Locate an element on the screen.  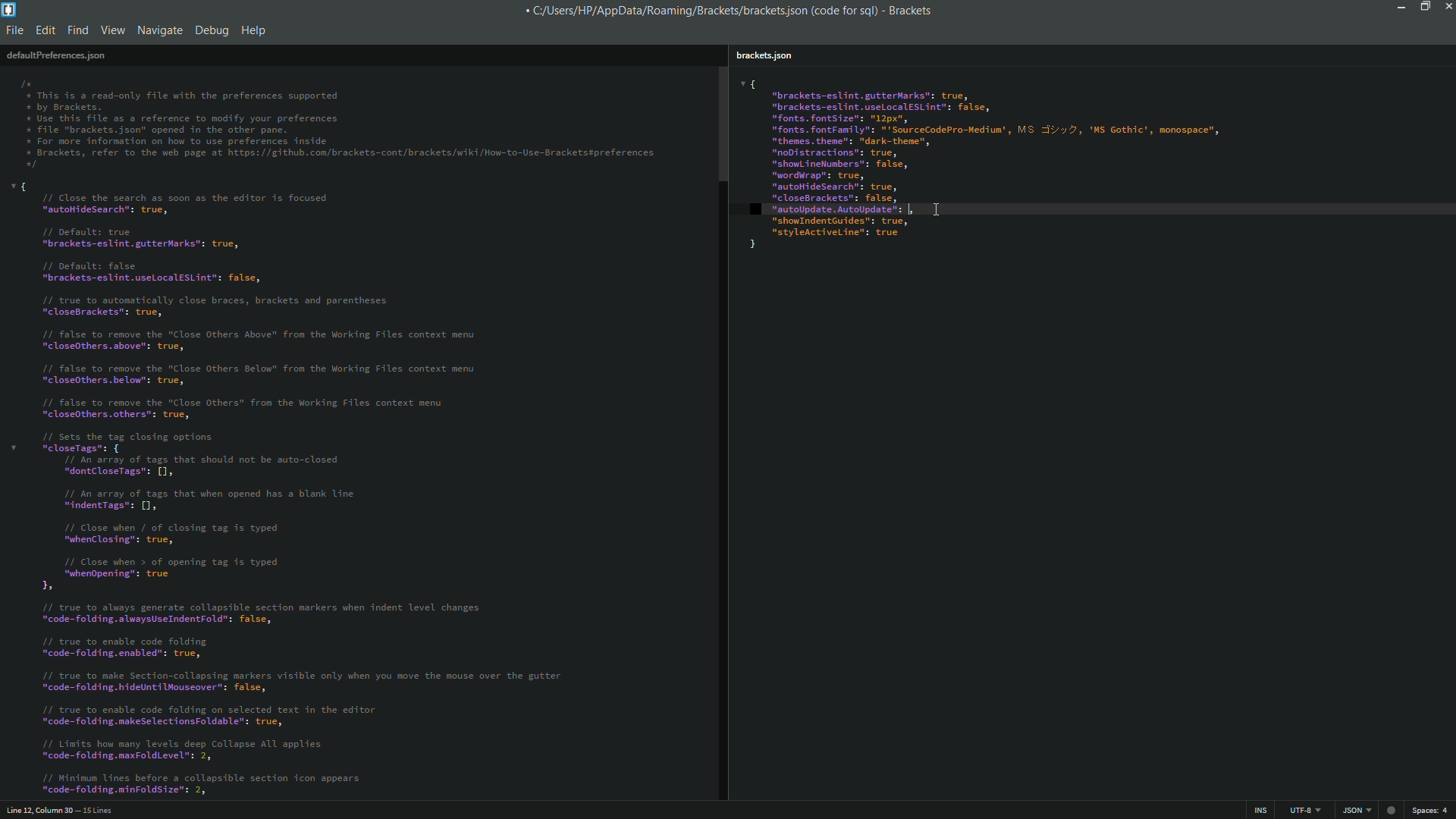
debug menu is located at coordinates (212, 28).